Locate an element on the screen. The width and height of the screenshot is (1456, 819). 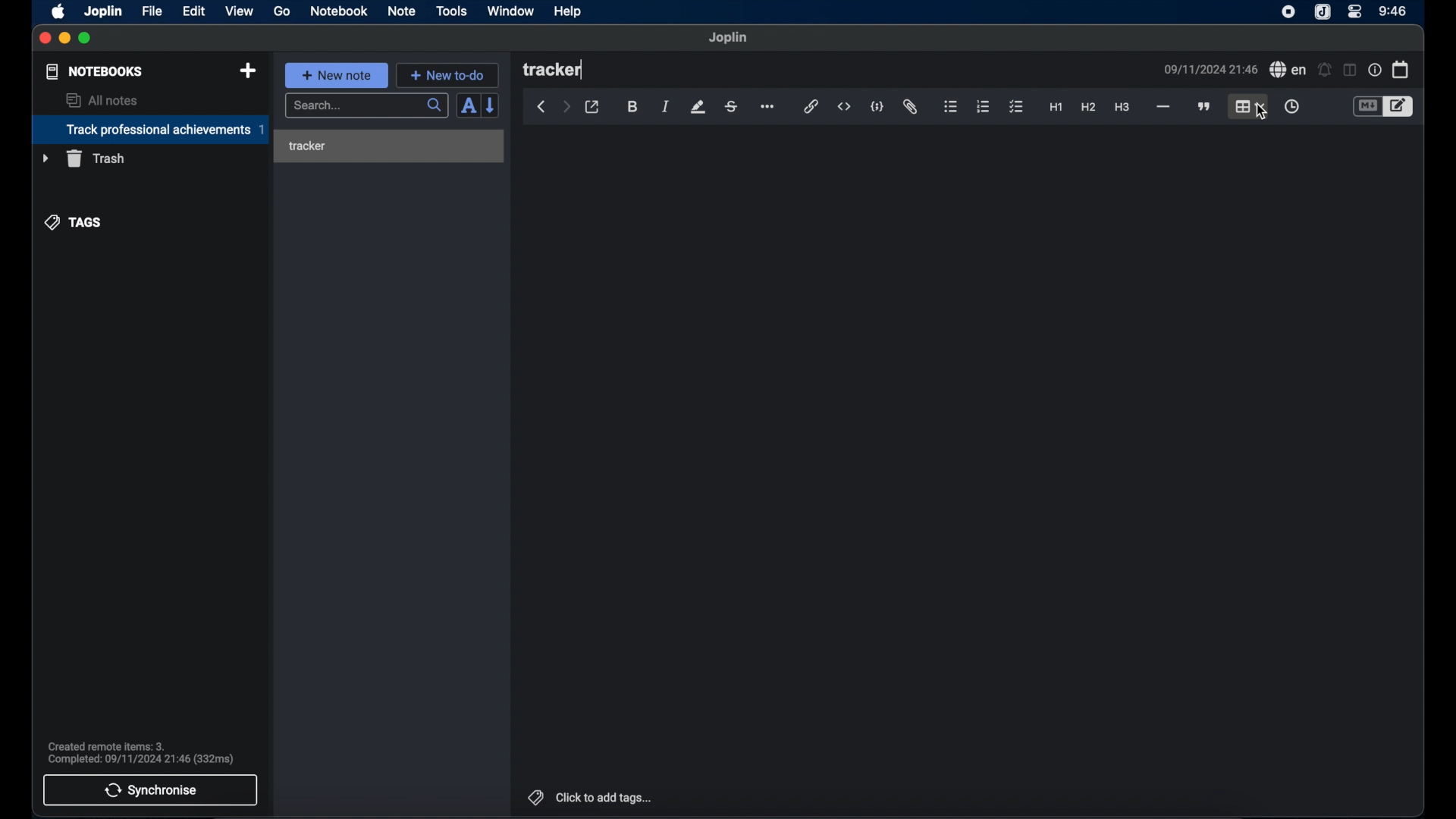
strikethrough is located at coordinates (732, 106).